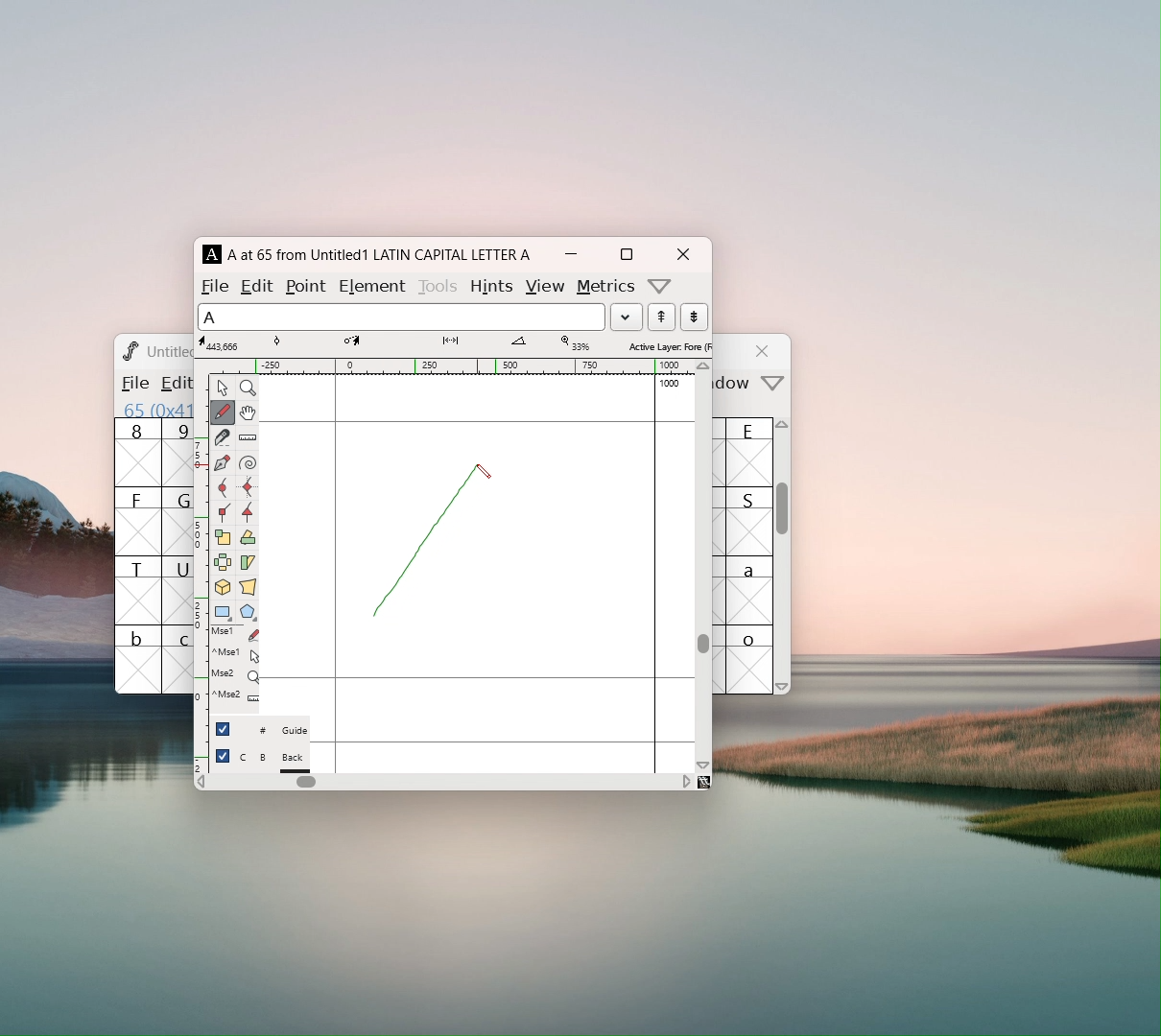 This screenshot has height=1036, width=1161. What do you see at coordinates (222, 464) in the screenshot?
I see `add a point then drag out its conttrol points` at bounding box center [222, 464].